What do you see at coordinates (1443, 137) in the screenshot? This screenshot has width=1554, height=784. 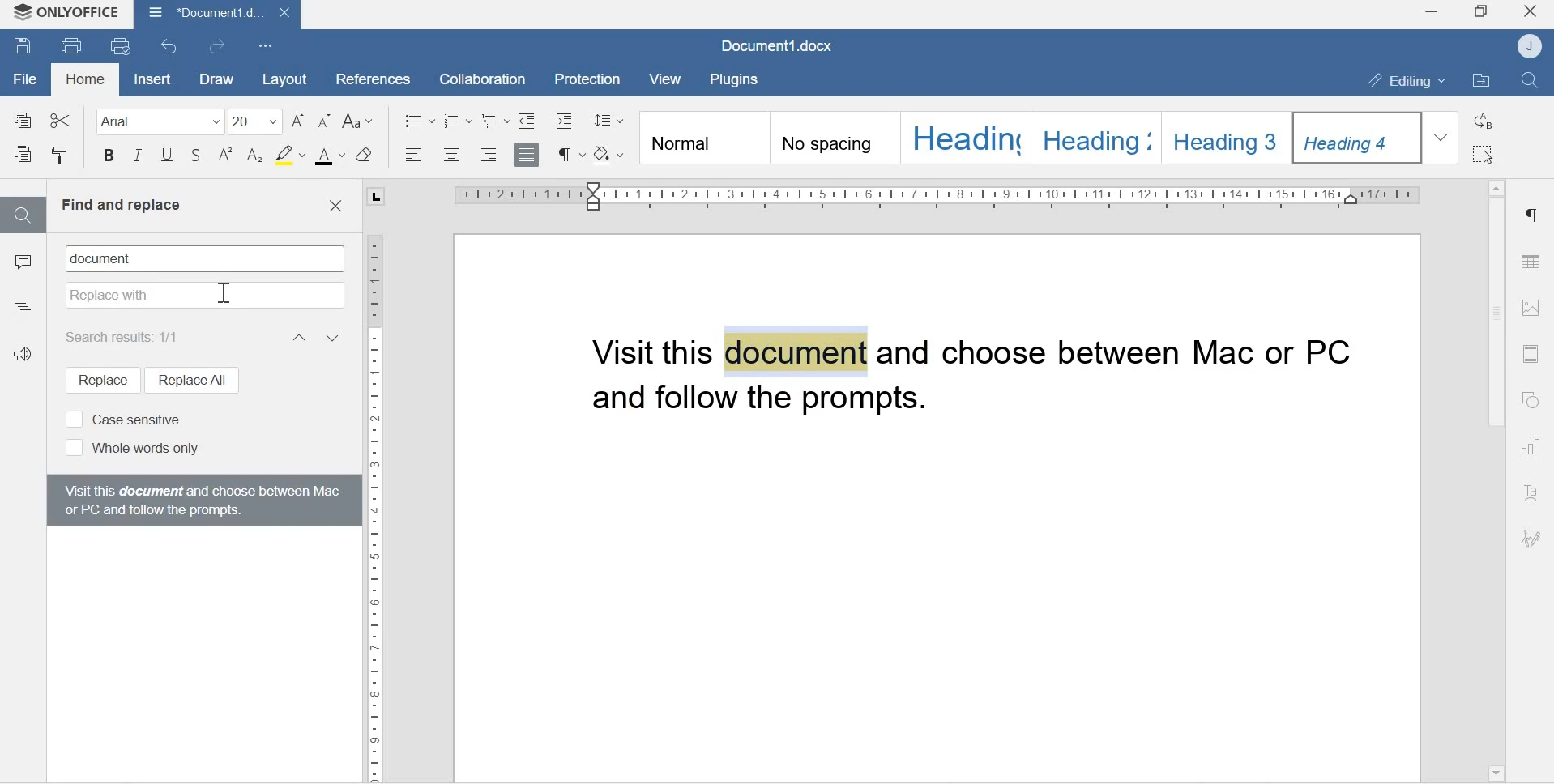 I see `Dropdown` at bounding box center [1443, 137].